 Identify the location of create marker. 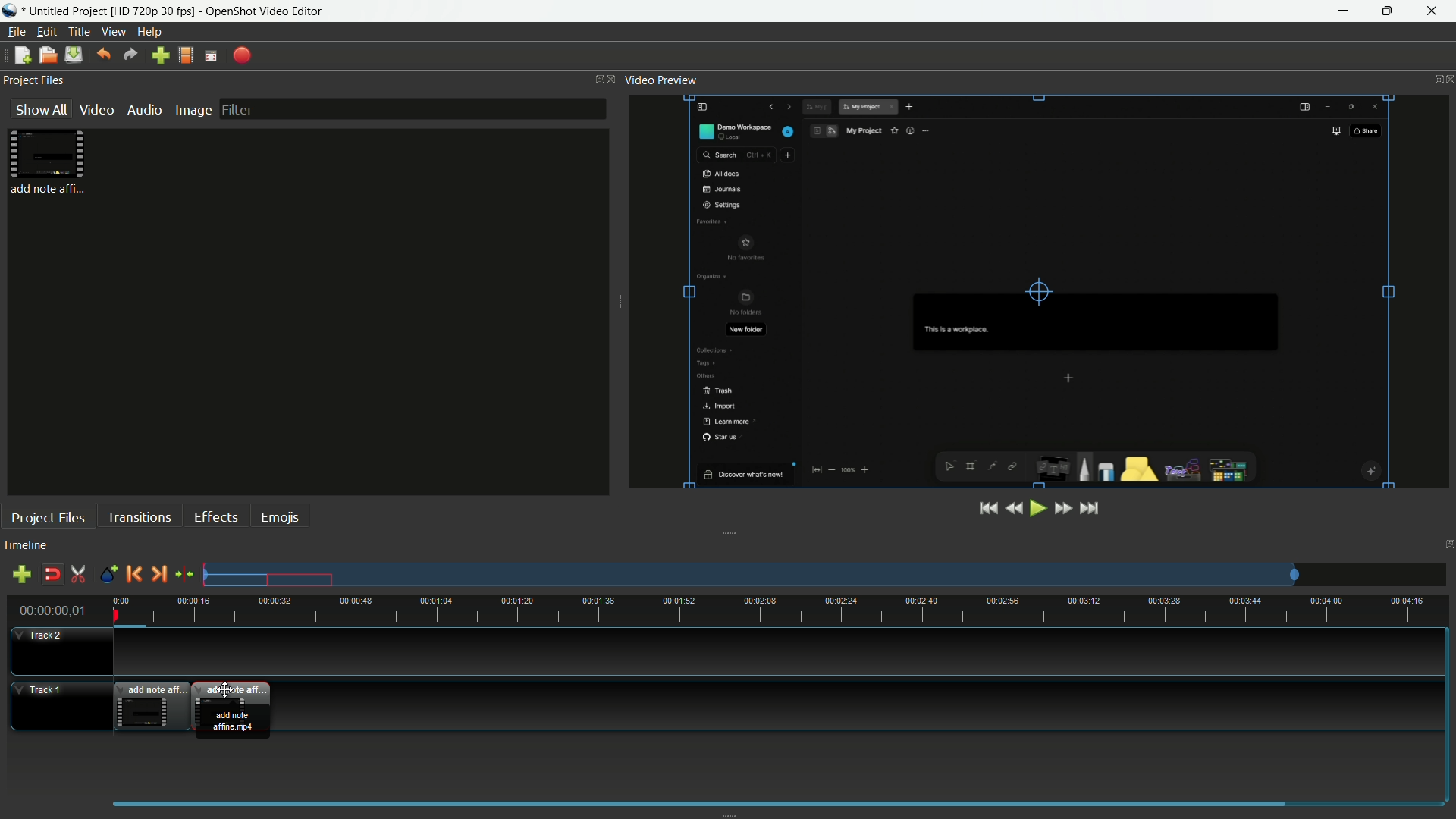
(108, 575).